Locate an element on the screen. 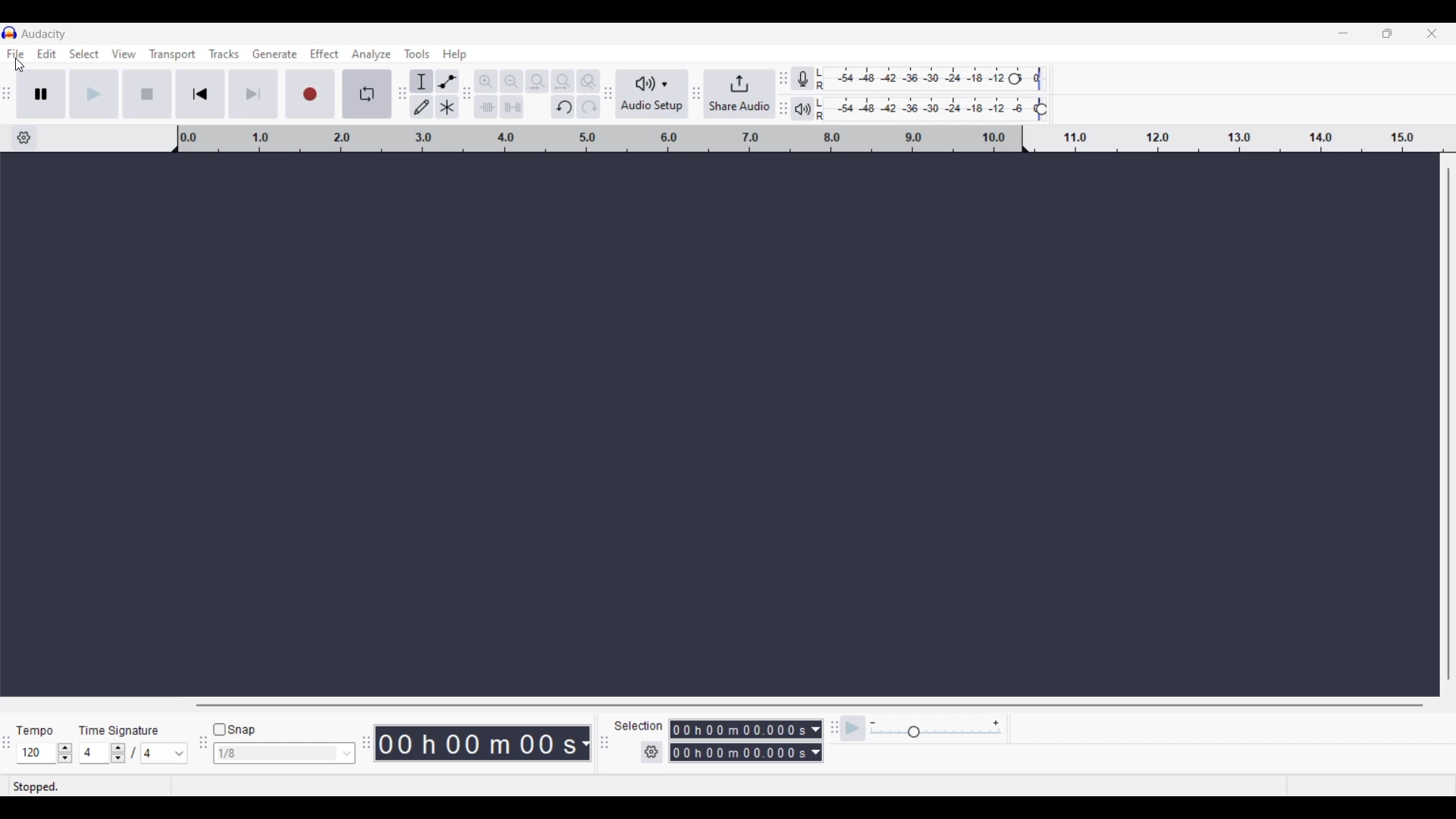 Image resolution: width=1456 pixels, height=819 pixels. playback meter tool bar is located at coordinates (784, 110).